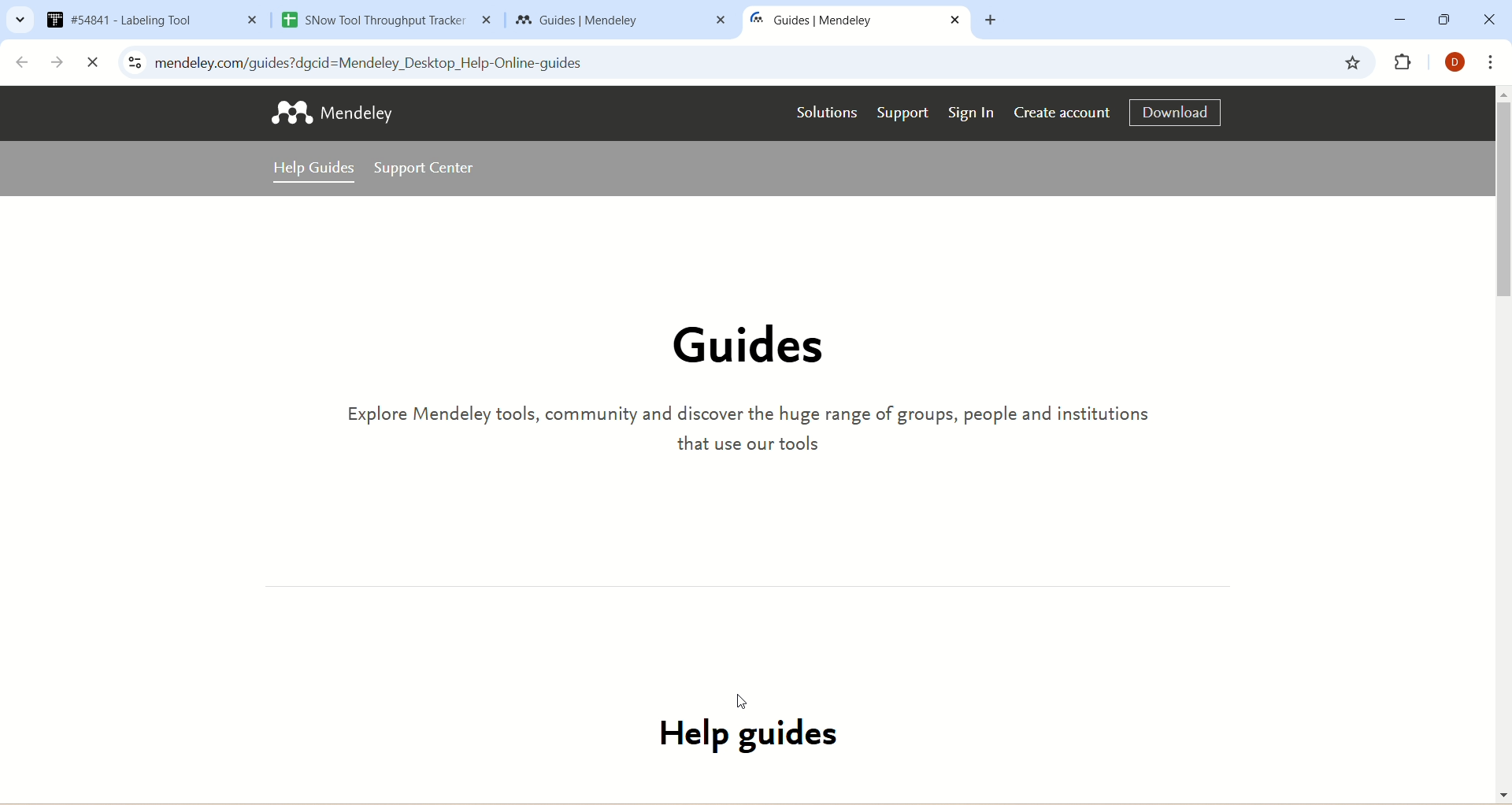  I want to click on account, so click(1452, 63).